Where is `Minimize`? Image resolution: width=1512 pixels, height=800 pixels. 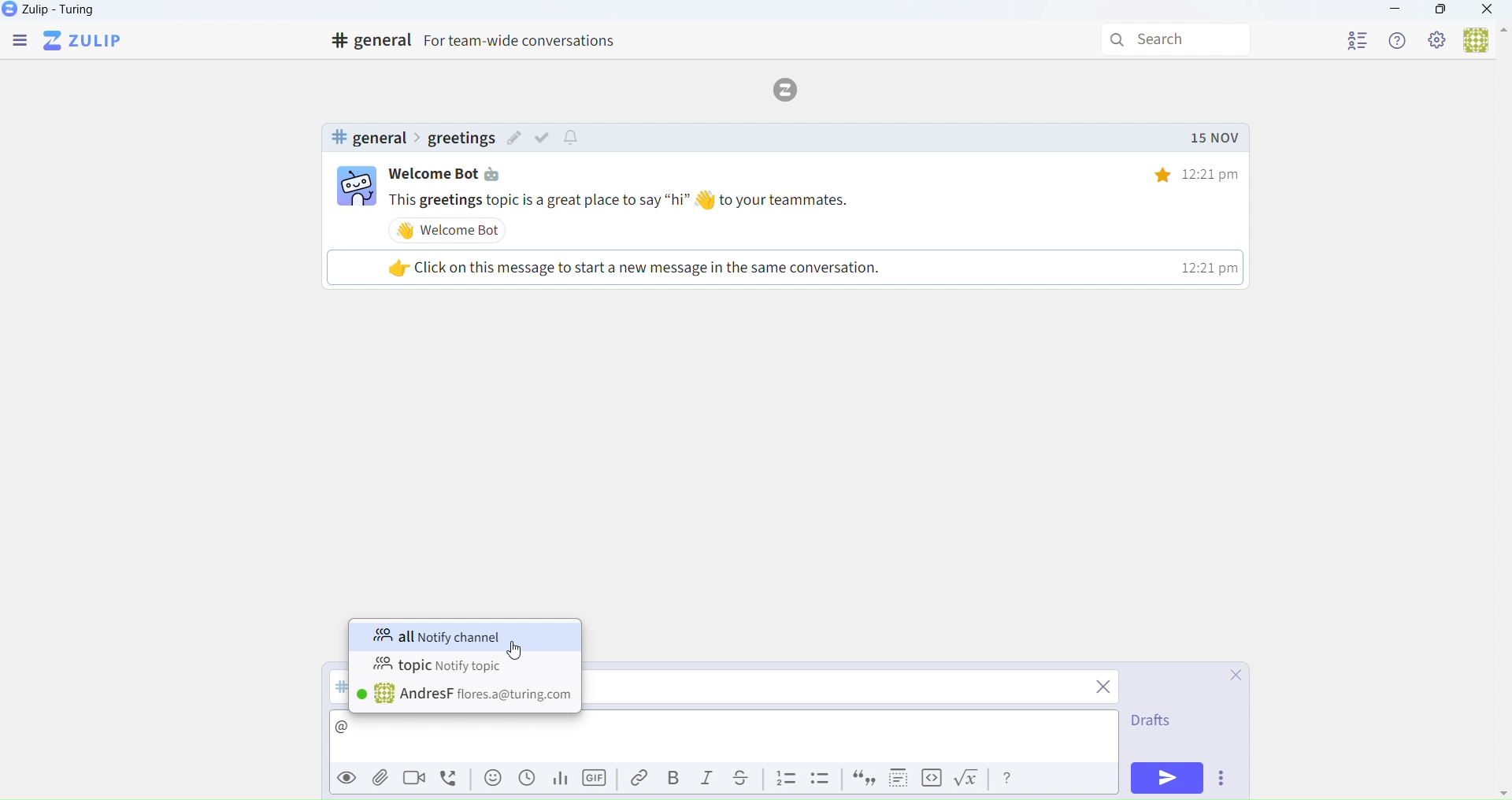 Minimize is located at coordinates (1395, 11).